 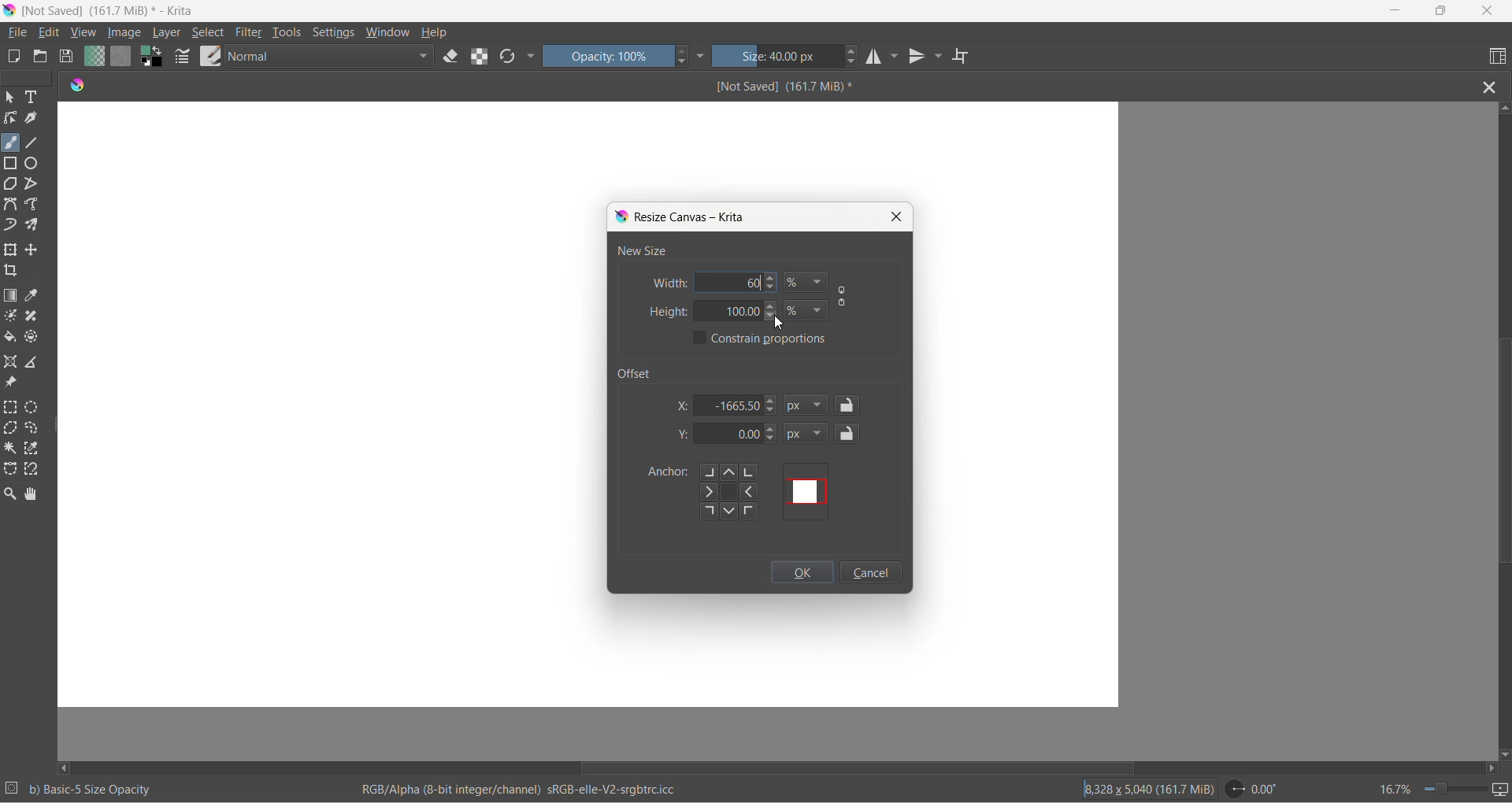 What do you see at coordinates (807, 491) in the screenshot?
I see `offset using mapping` at bounding box center [807, 491].